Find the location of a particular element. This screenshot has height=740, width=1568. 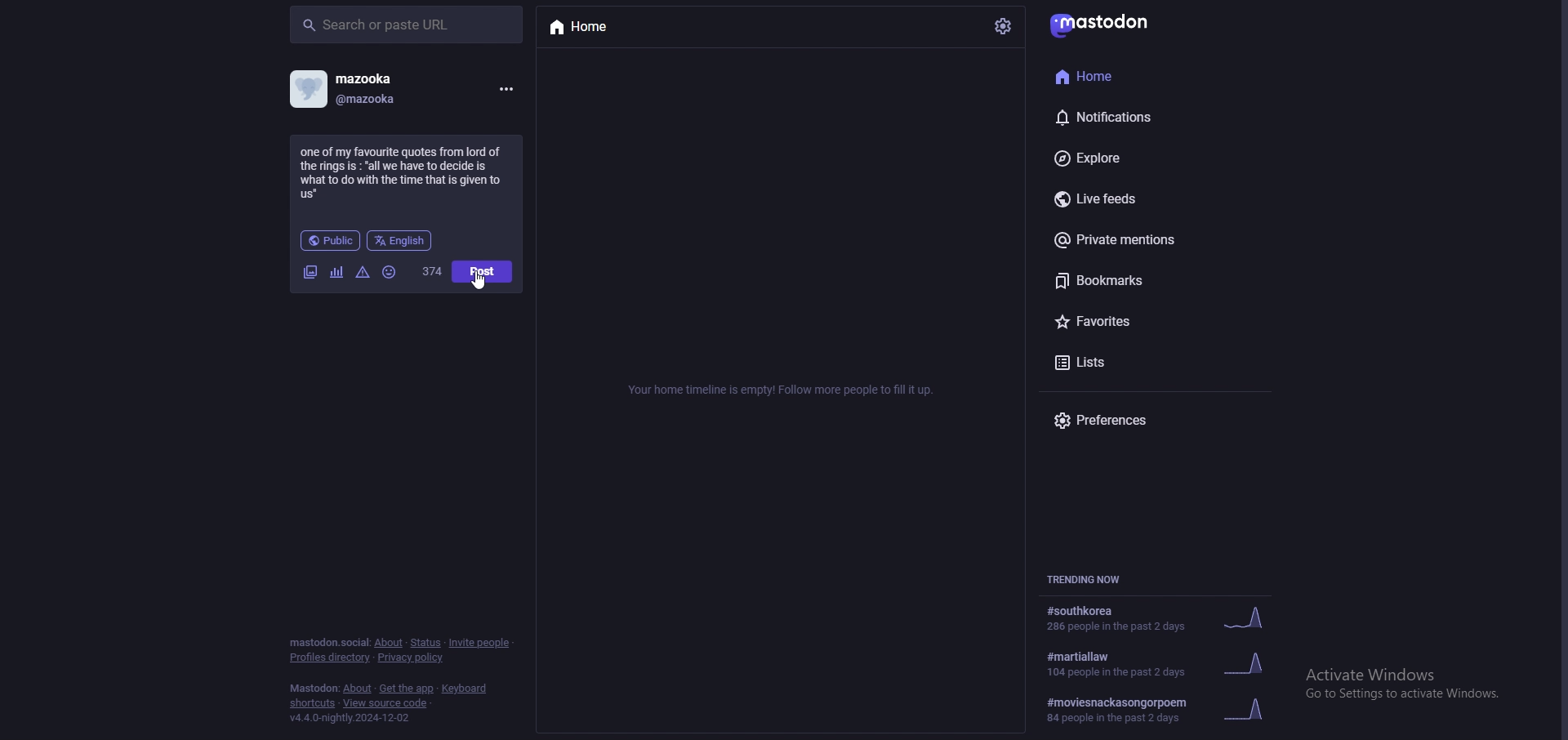

live feeds is located at coordinates (1124, 200).